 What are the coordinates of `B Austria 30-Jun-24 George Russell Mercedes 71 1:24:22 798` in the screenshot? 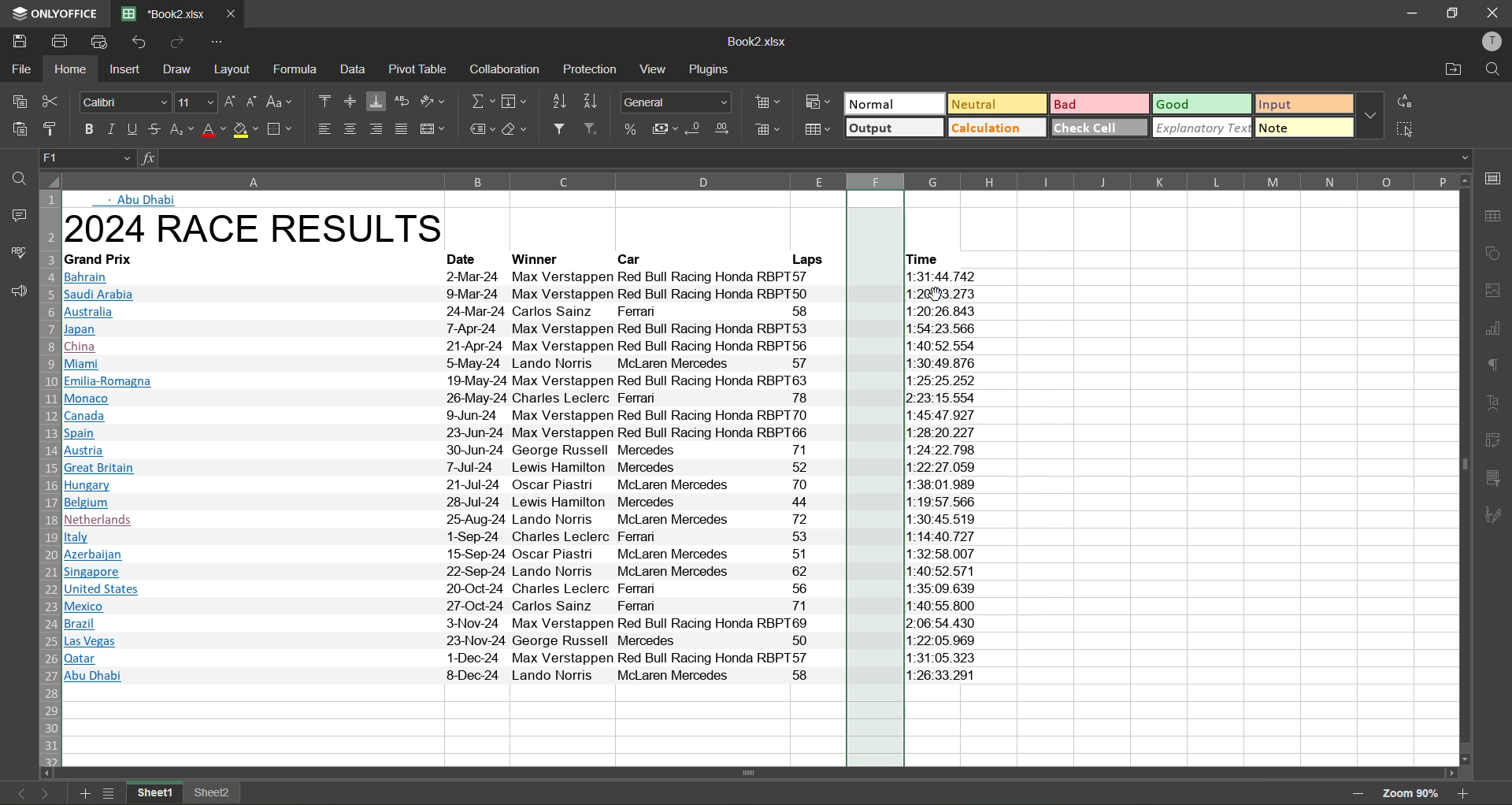 It's located at (450, 451).